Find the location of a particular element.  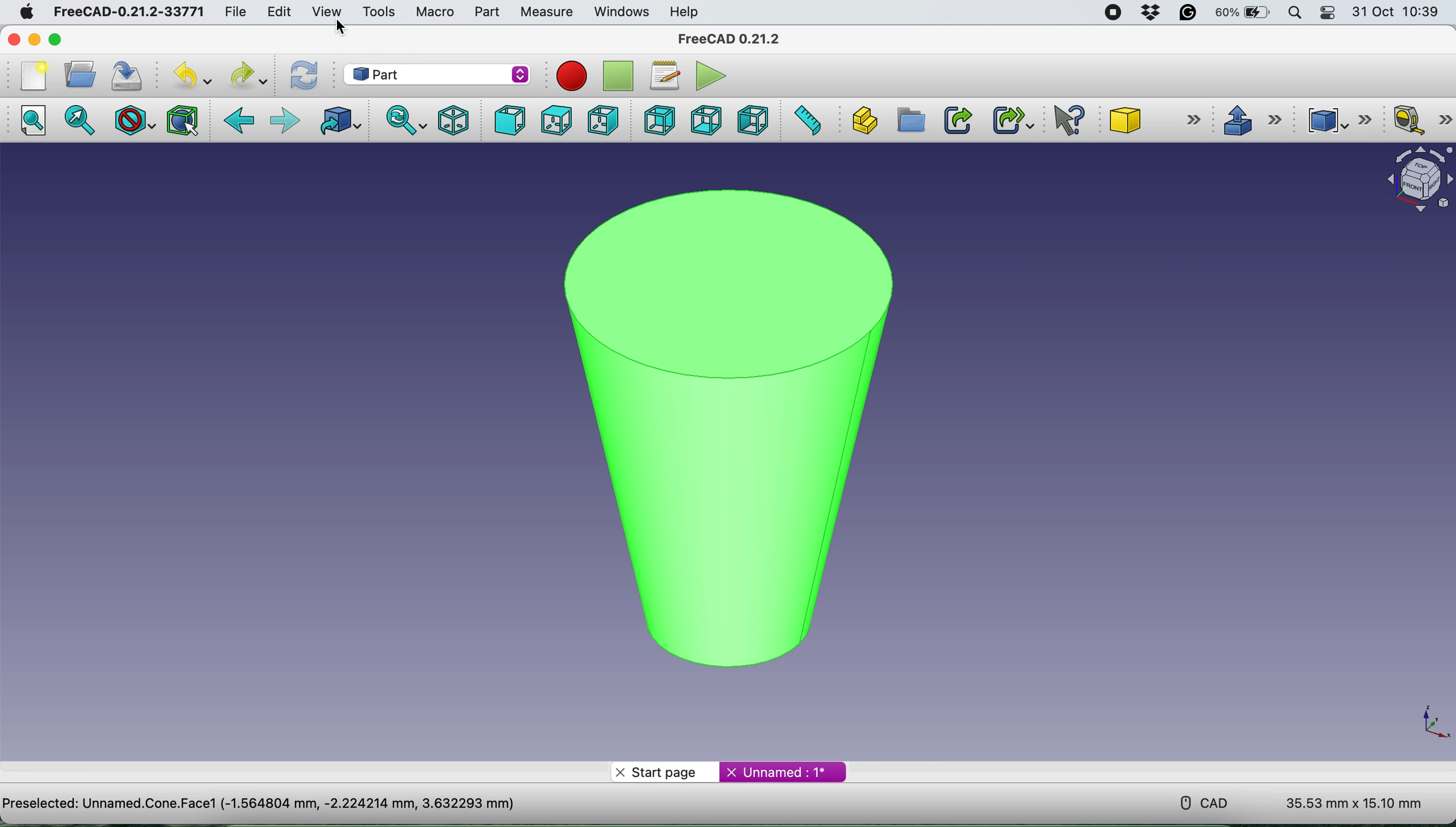

close is located at coordinates (14, 39).